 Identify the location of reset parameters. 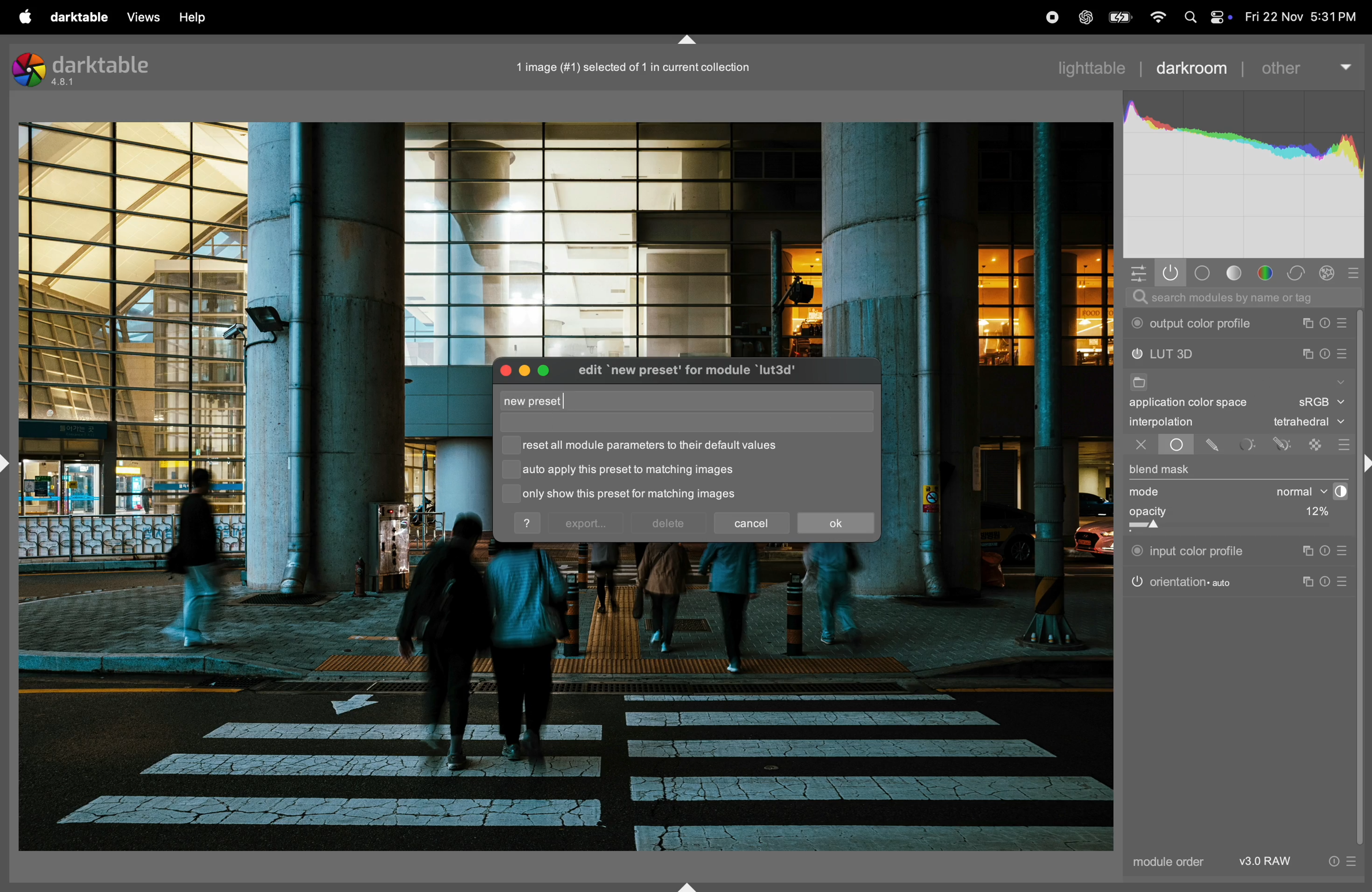
(1329, 551).